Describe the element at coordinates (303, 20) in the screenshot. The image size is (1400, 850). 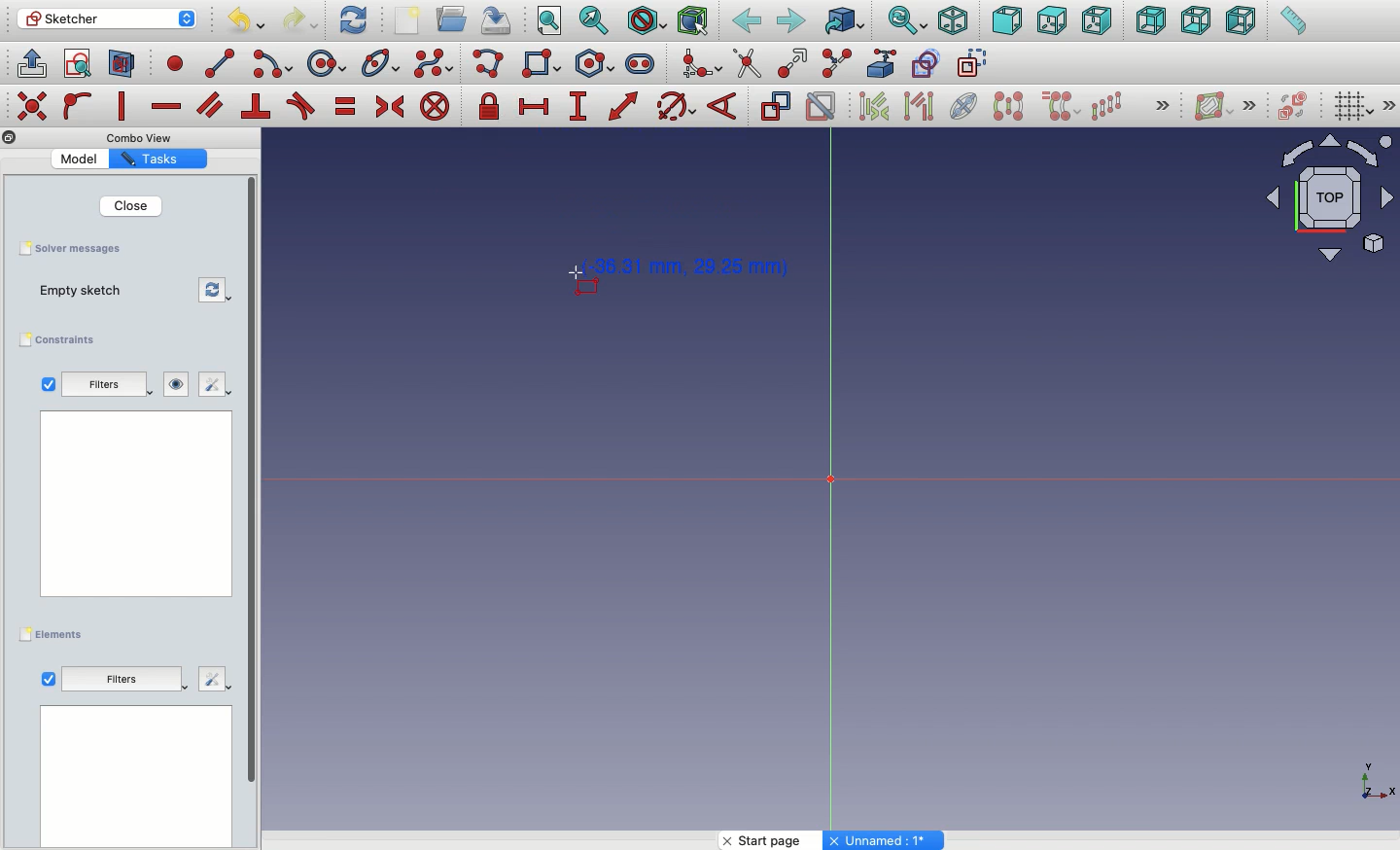
I see `Redo` at that location.